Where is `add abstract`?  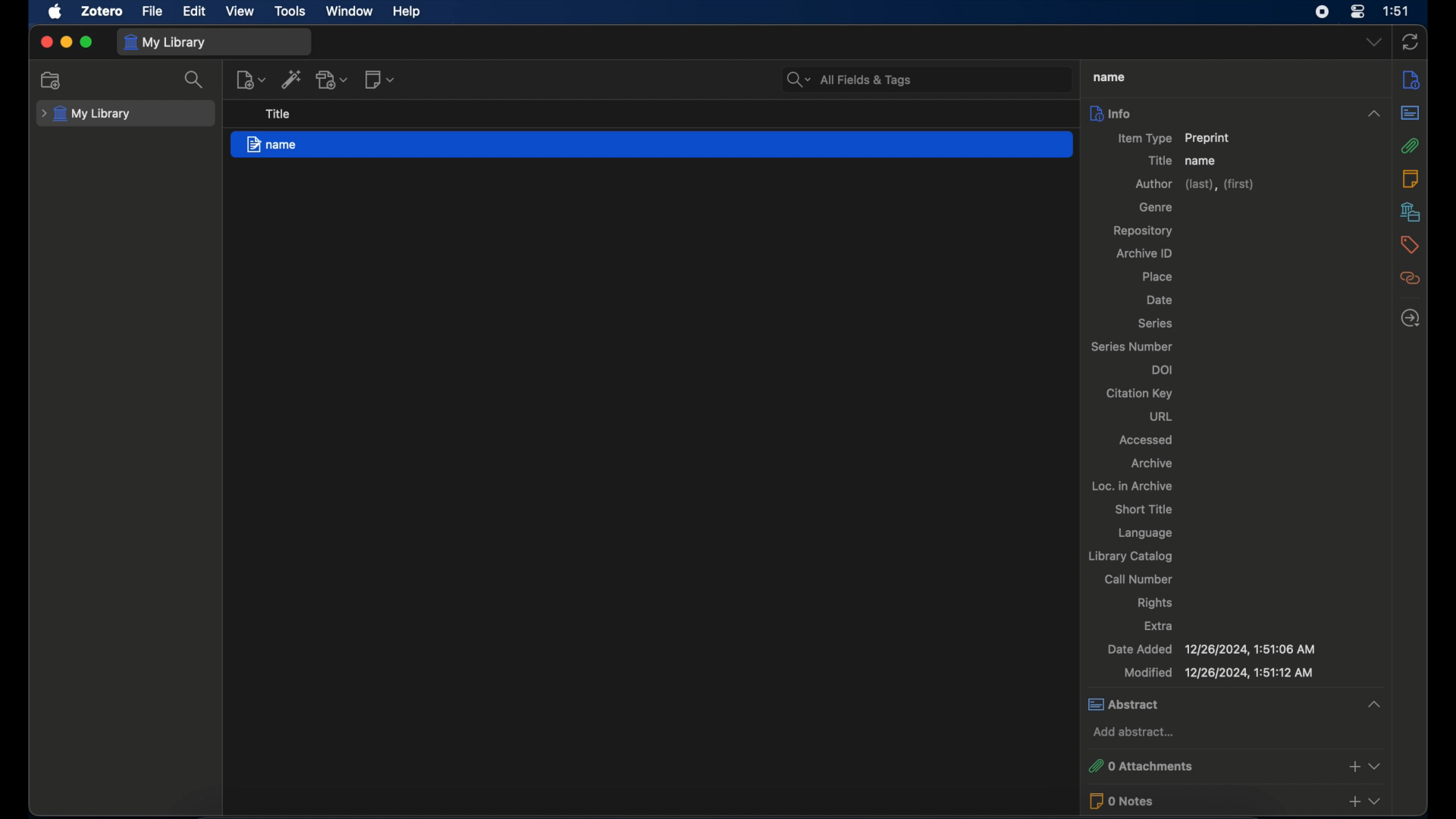
add abstract is located at coordinates (1134, 731).